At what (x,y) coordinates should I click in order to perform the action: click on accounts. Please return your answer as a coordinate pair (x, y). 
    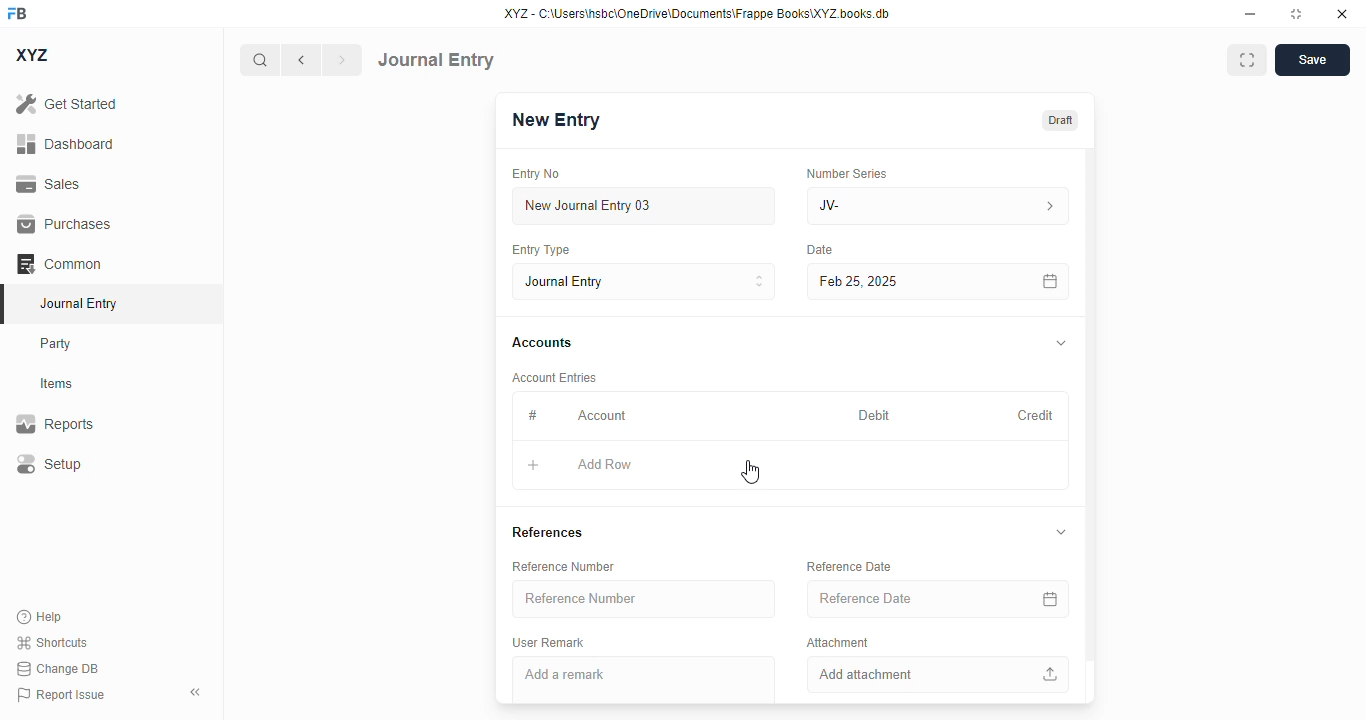
    Looking at the image, I should click on (542, 343).